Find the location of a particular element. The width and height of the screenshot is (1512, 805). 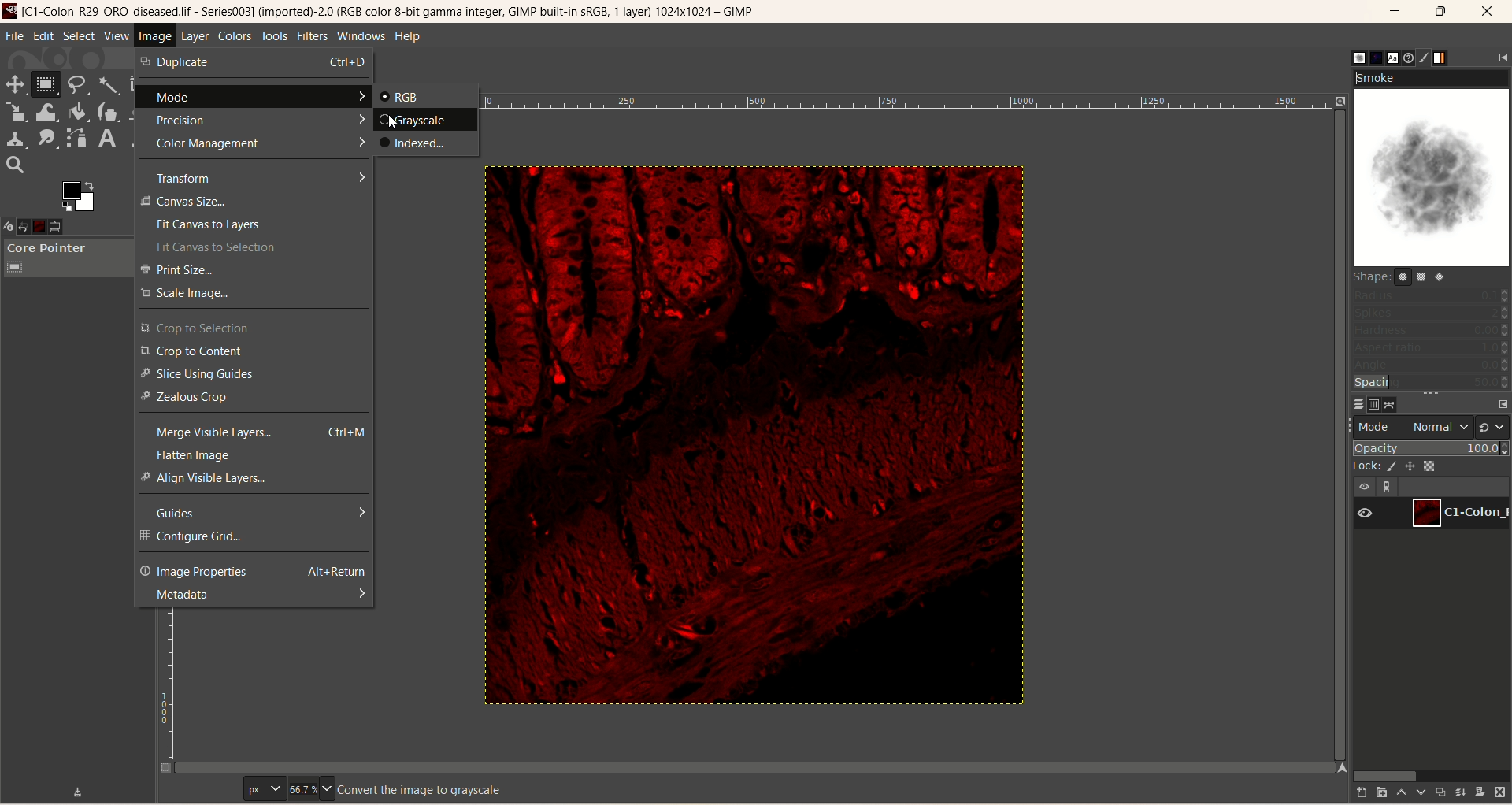

text tool is located at coordinates (107, 139).